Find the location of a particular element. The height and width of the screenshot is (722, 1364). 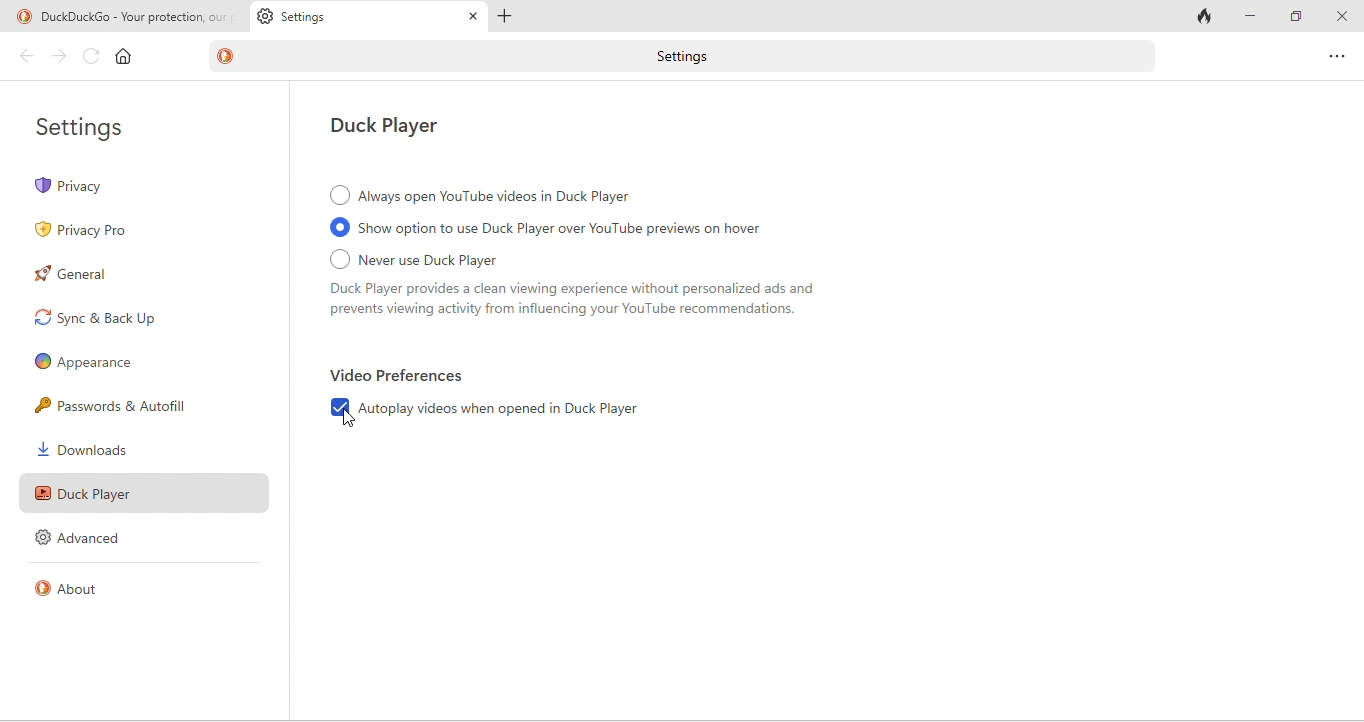

maximize is located at coordinates (1298, 18).